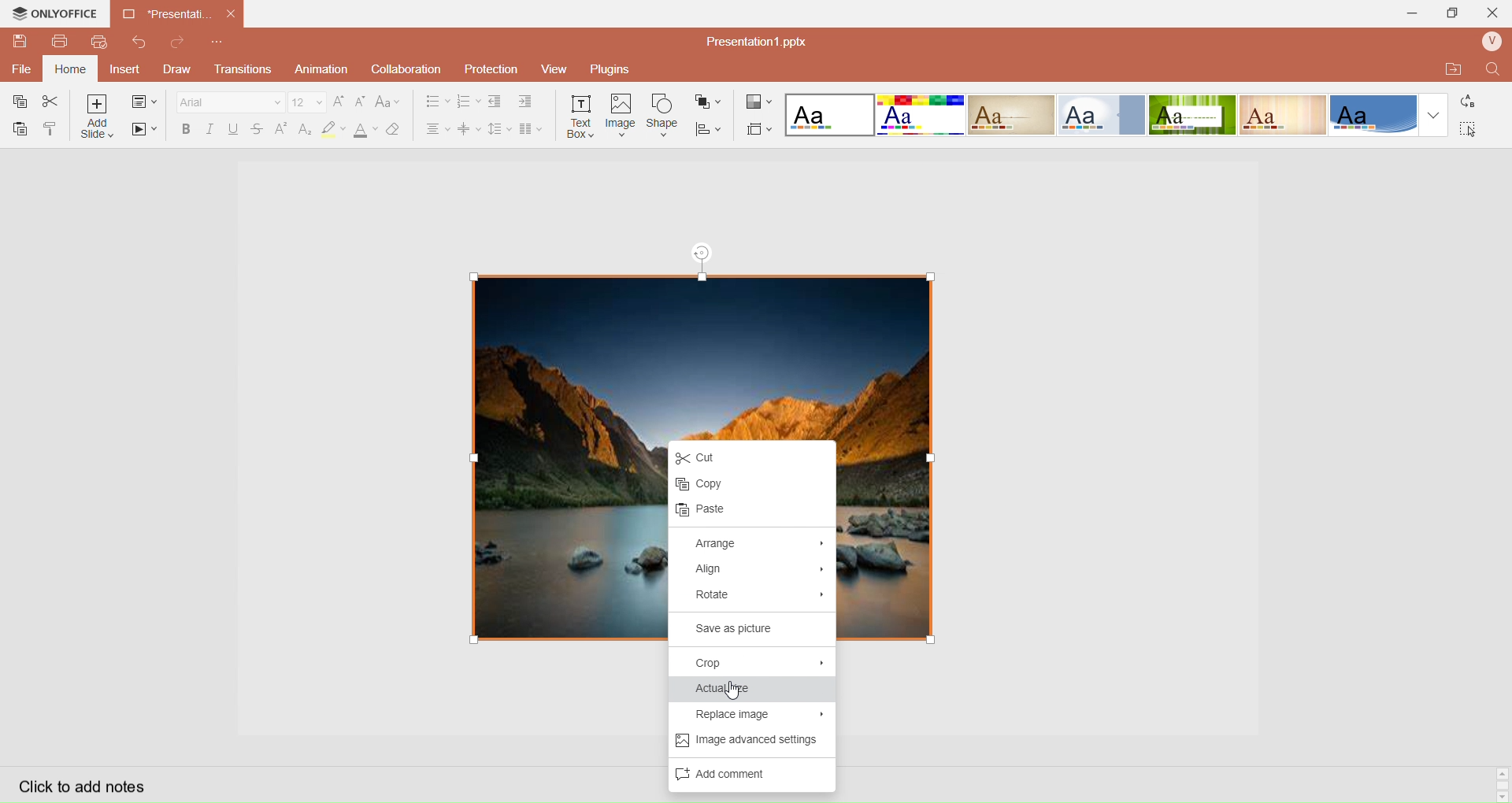  What do you see at coordinates (56, 130) in the screenshot?
I see `Copy Style` at bounding box center [56, 130].